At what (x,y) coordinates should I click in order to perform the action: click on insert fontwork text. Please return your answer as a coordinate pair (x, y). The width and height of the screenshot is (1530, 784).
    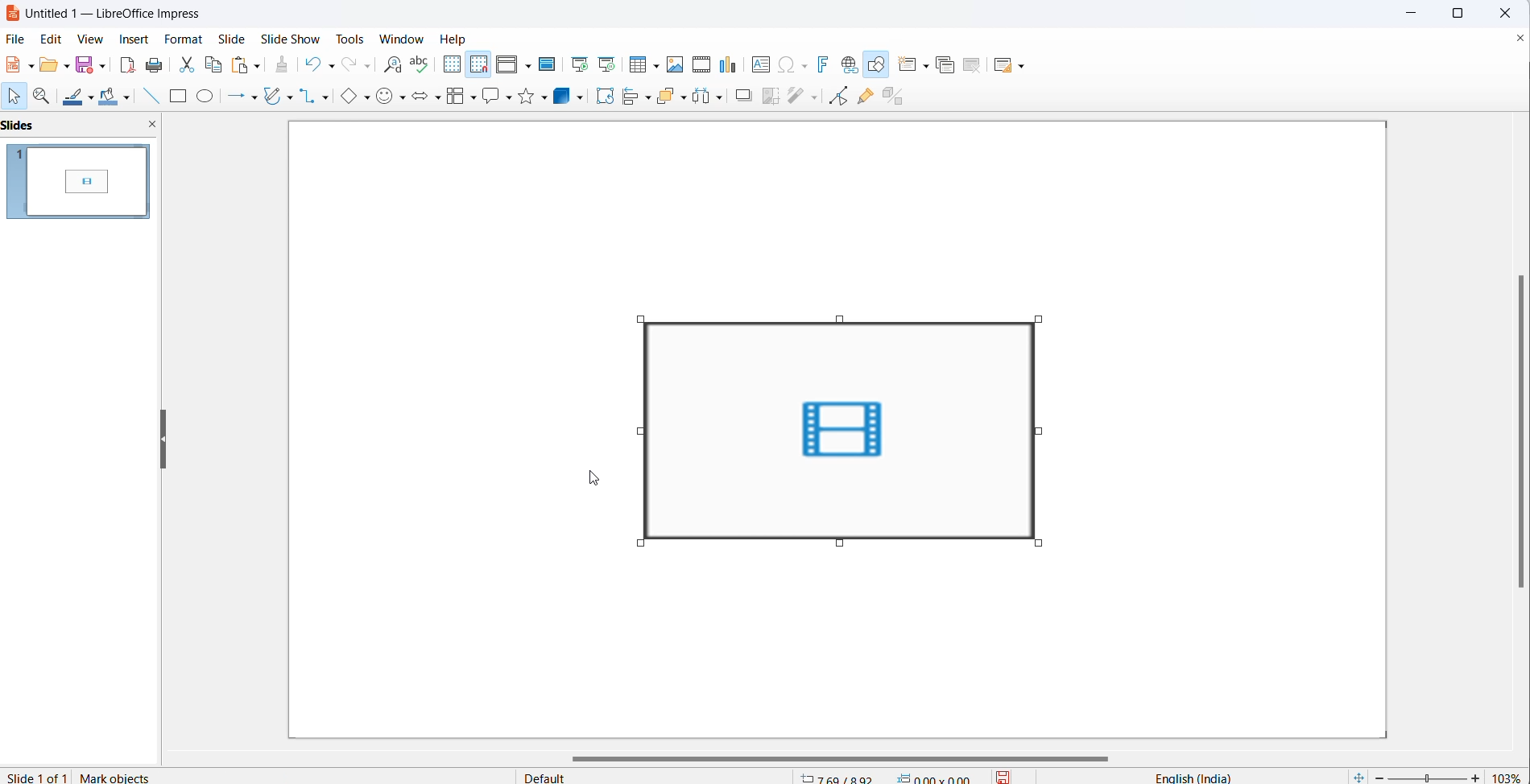
    Looking at the image, I should click on (827, 65).